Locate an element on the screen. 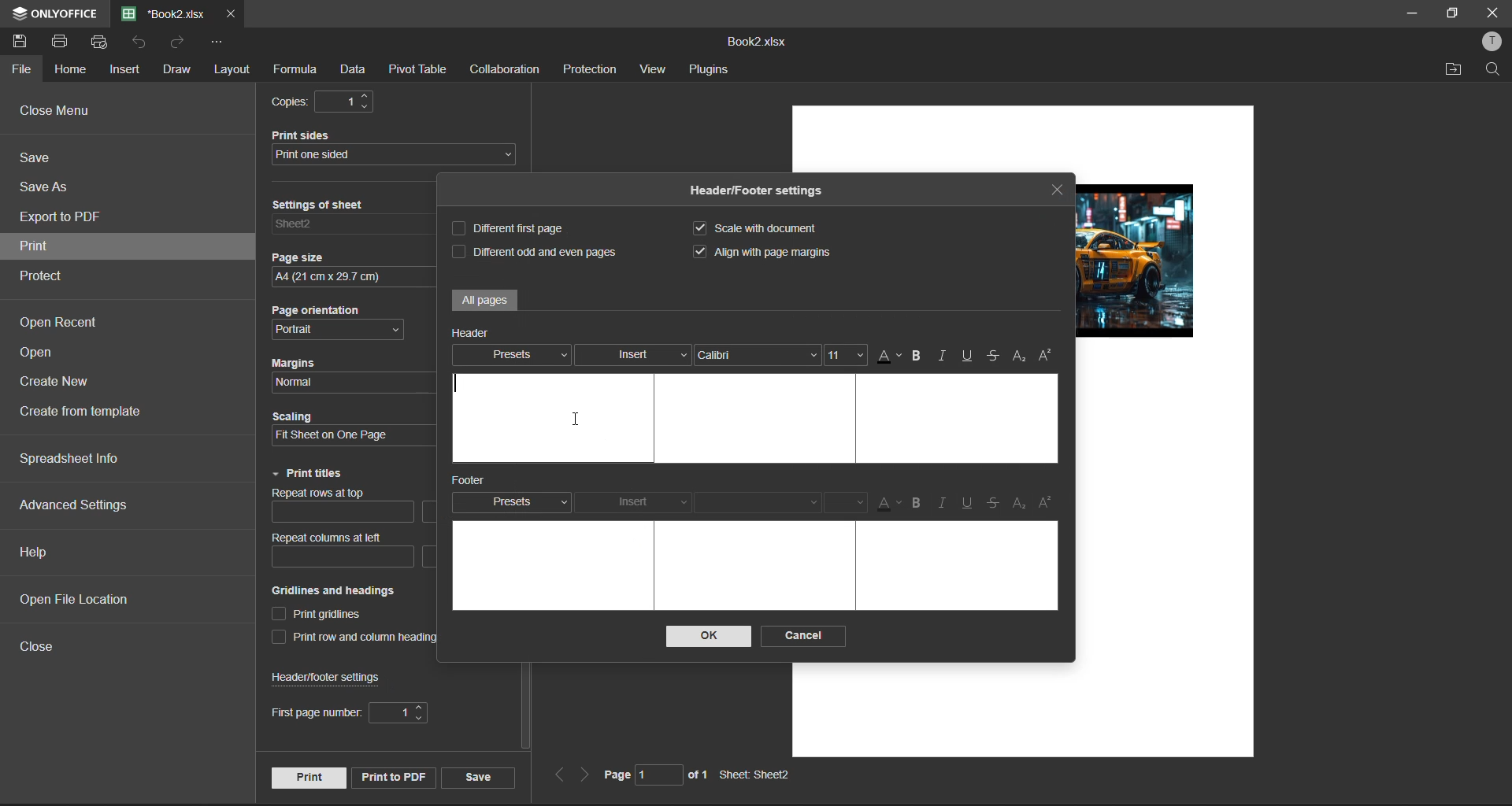  page size is located at coordinates (346, 266).